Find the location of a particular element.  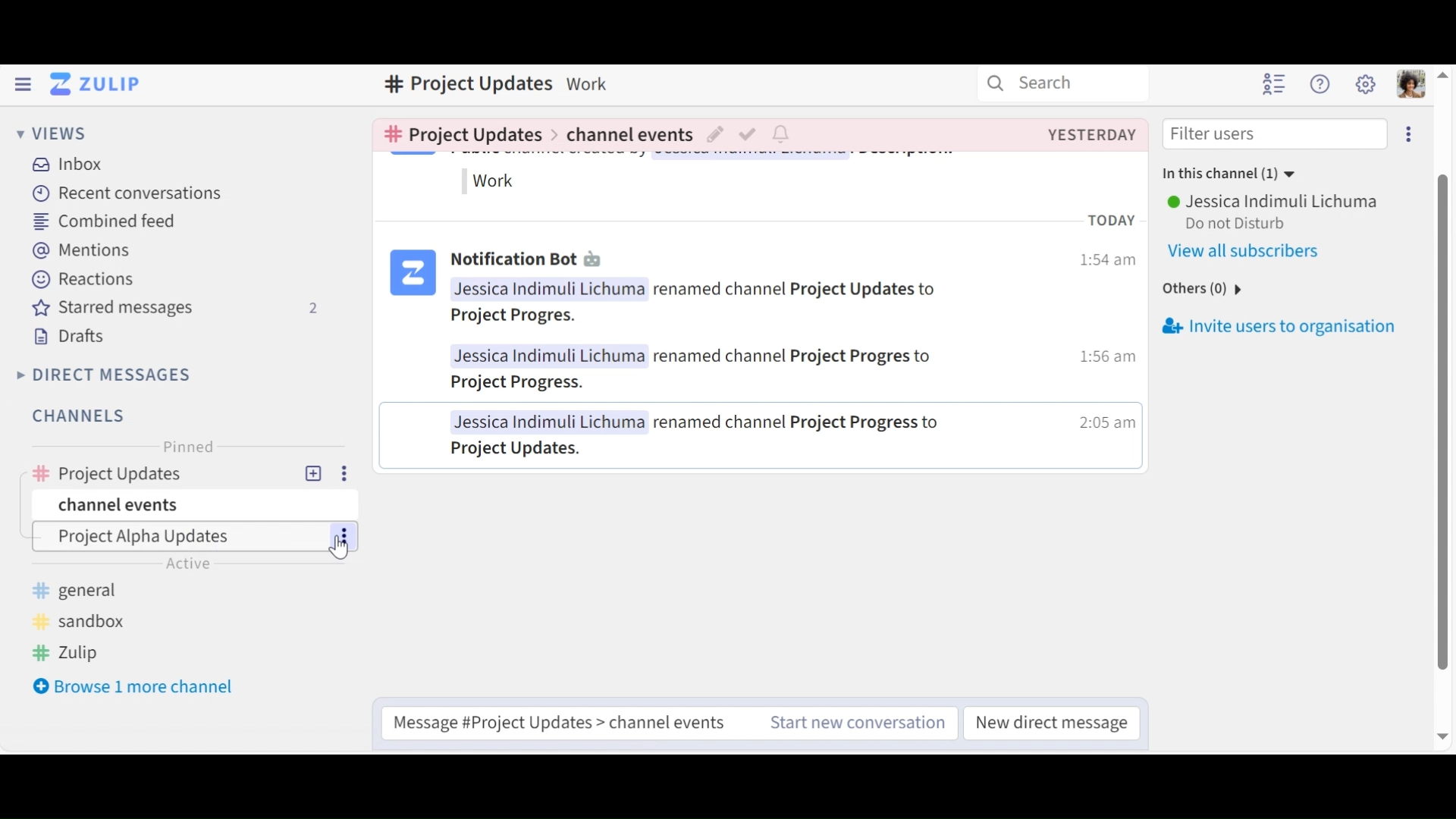

Drafts is located at coordinates (69, 337).